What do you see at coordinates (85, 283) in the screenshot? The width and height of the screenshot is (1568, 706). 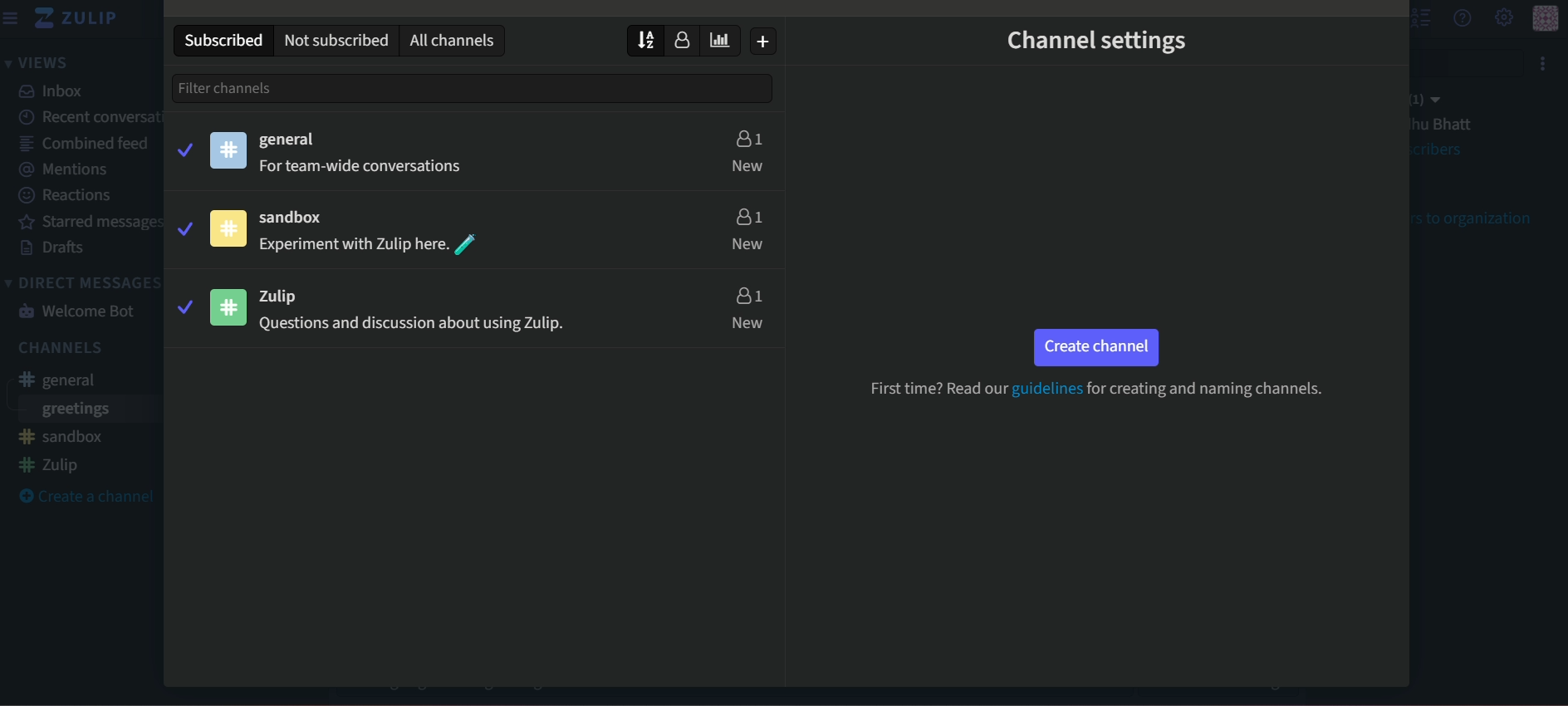 I see `direct messages` at bounding box center [85, 283].